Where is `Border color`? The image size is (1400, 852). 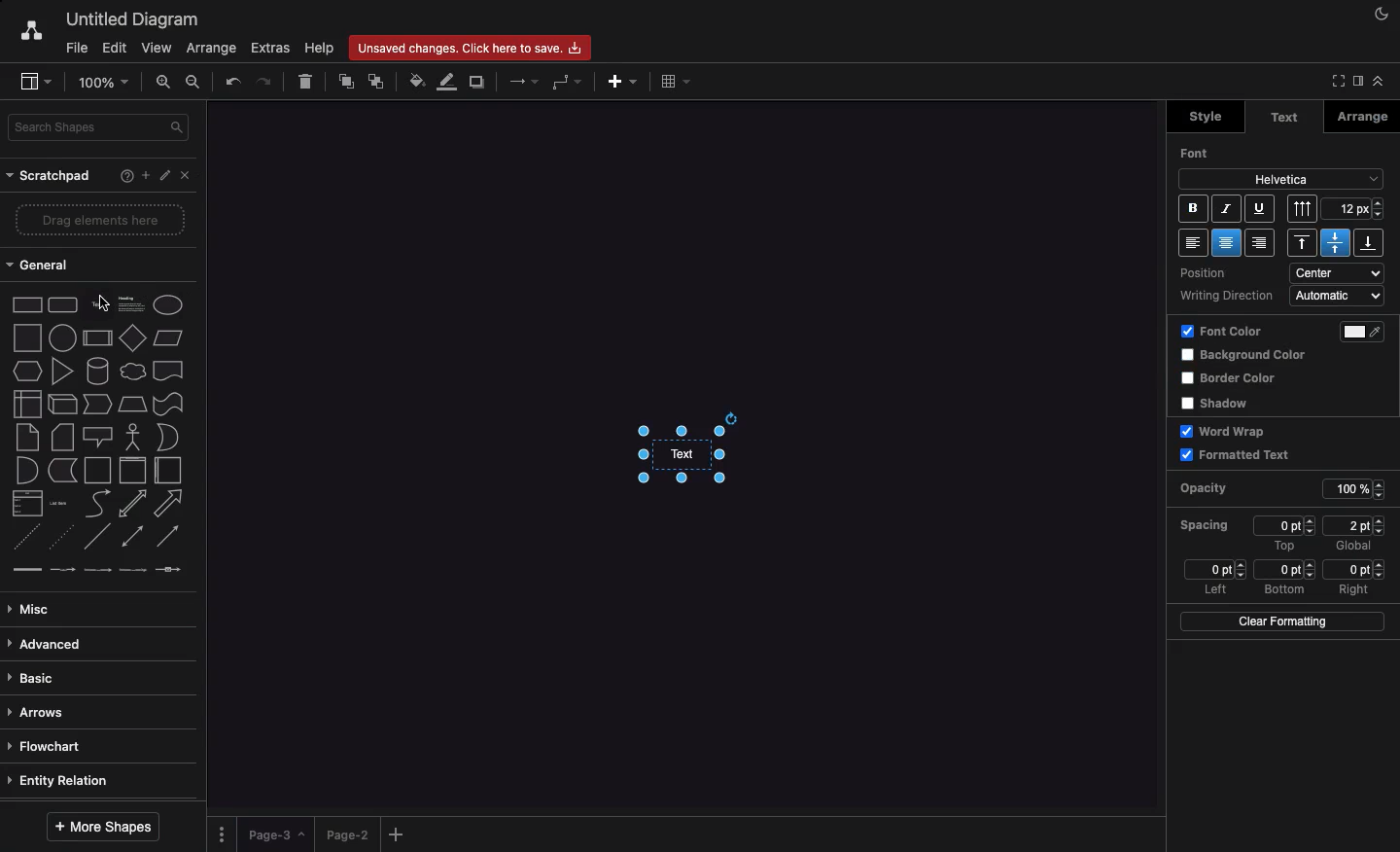
Border color is located at coordinates (1232, 379).